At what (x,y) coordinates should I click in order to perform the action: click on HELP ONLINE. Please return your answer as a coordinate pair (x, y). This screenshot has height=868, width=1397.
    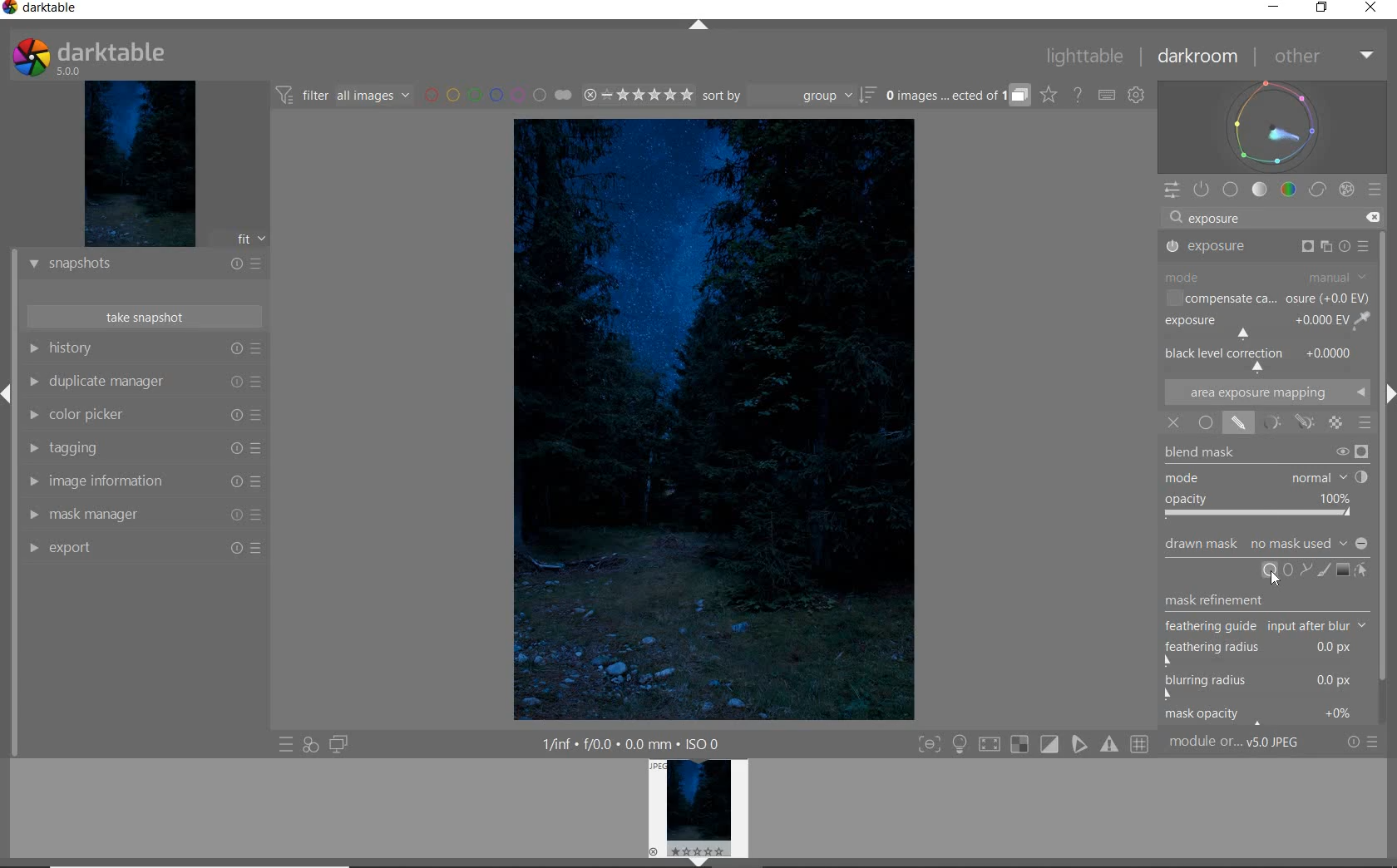
    Looking at the image, I should click on (1078, 96).